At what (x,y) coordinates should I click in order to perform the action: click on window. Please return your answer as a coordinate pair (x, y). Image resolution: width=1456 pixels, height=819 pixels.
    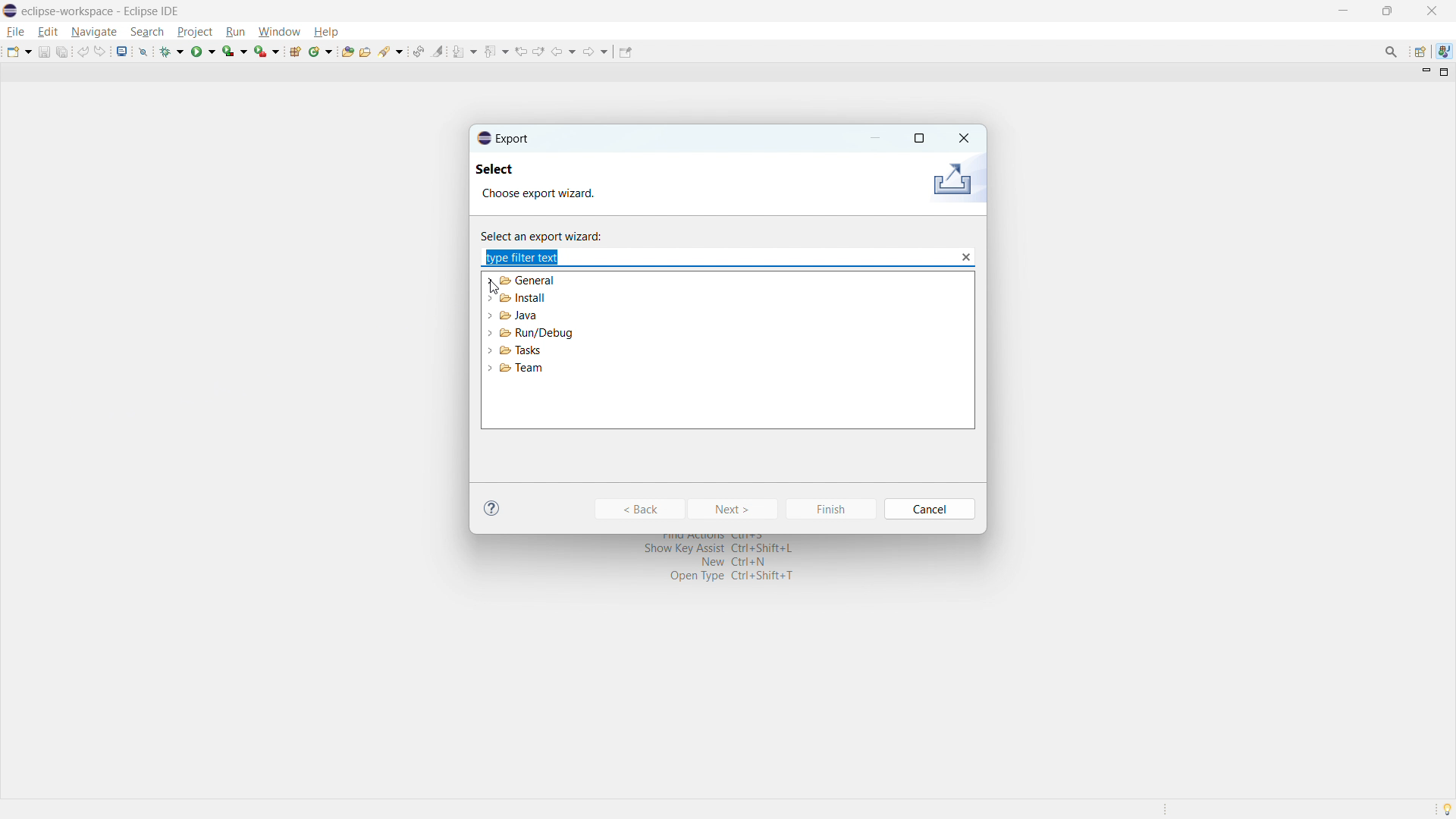
    Looking at the image, I should click on (279, 32).